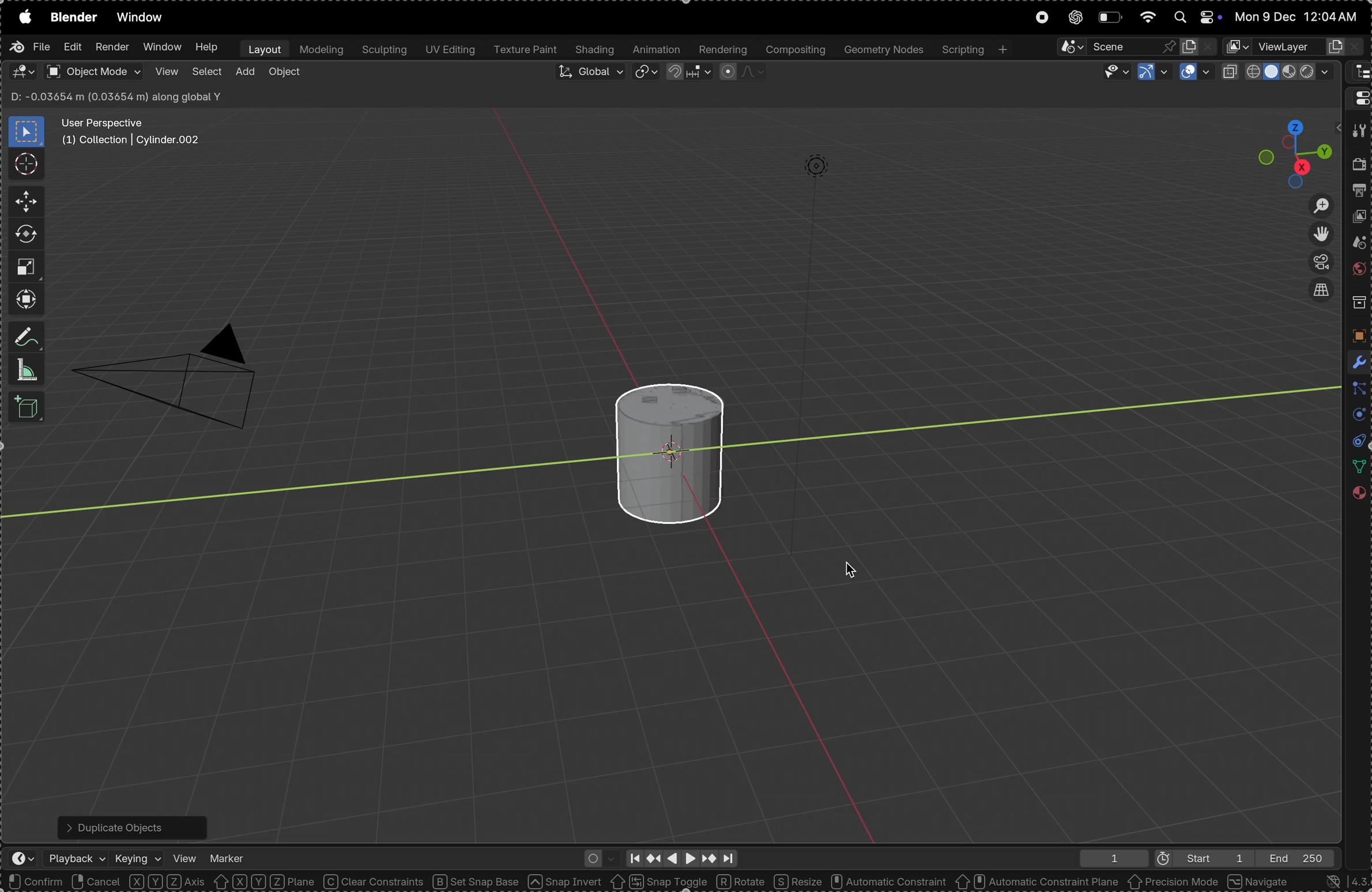 This screenshot has width=1372, height=892. What do you see at coordinates (144, 18) in the screenshot?
I see `Window` at bounding box center [144, 18].